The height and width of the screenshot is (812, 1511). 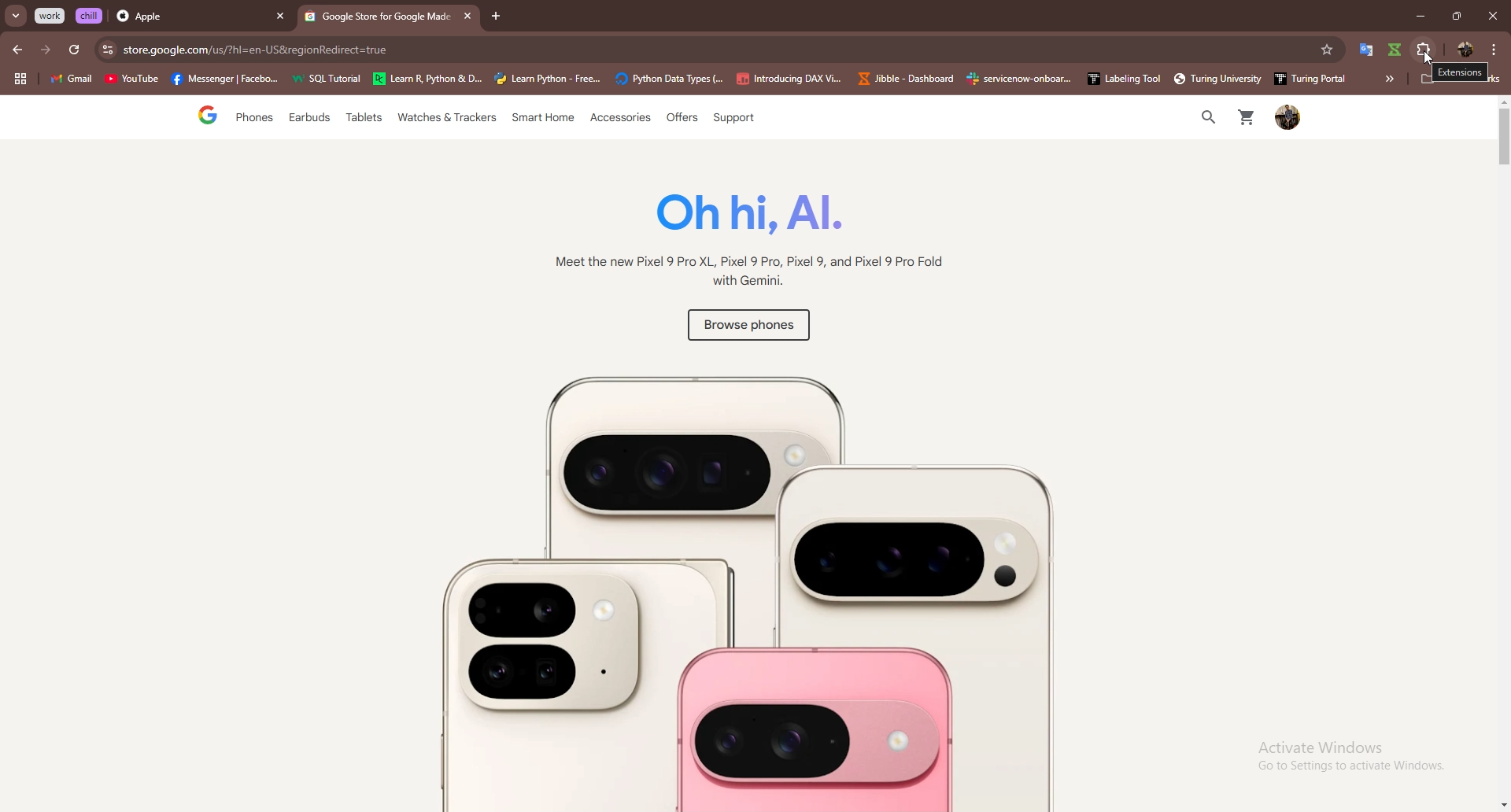 What do you see at coordinates (903, 79) in the screenshot?
I see `Jibble - Dashboard` at bounding box center [903, 79].